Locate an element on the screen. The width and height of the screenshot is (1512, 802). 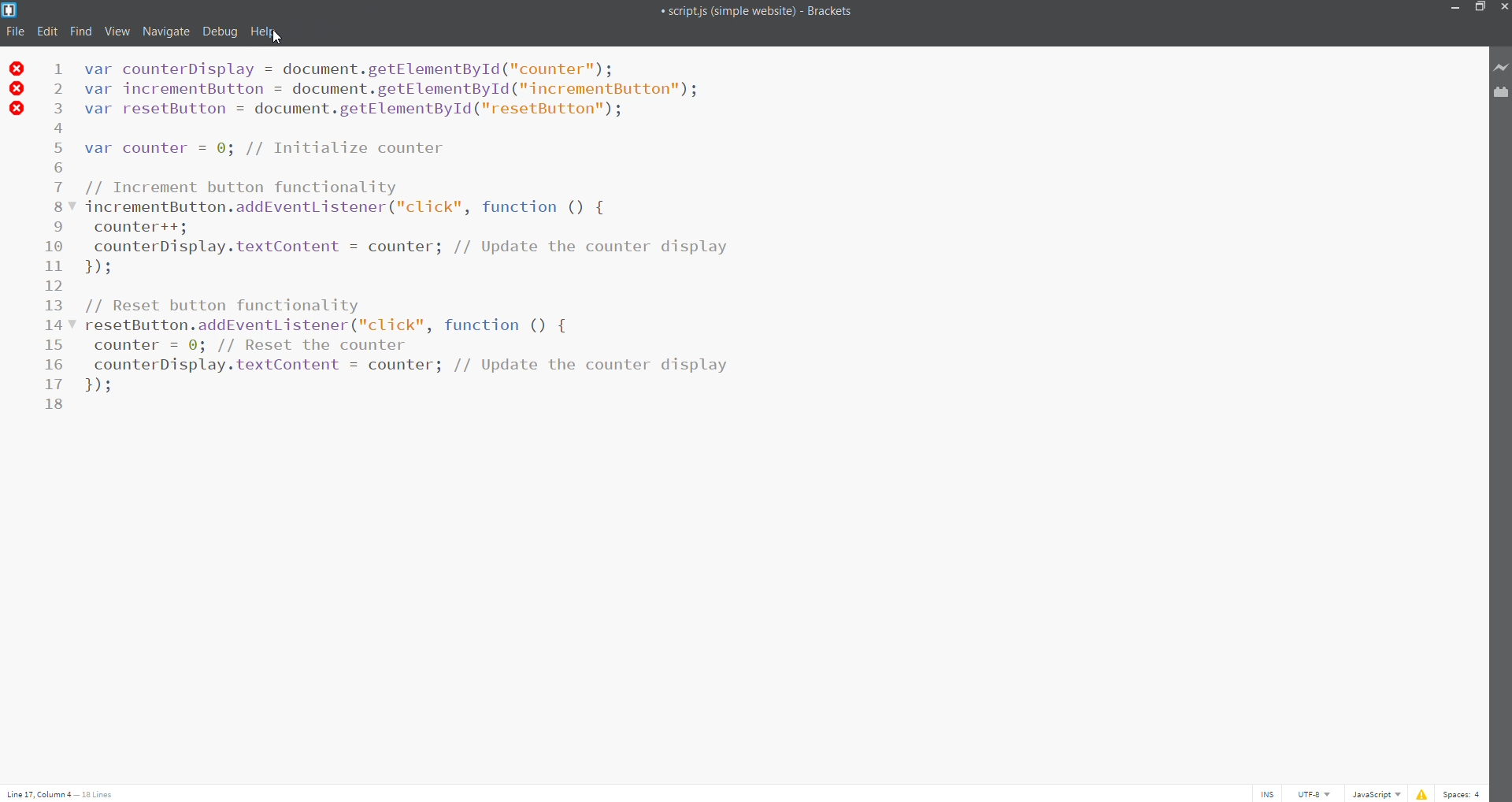
debug is located at coordinates (222, 31).